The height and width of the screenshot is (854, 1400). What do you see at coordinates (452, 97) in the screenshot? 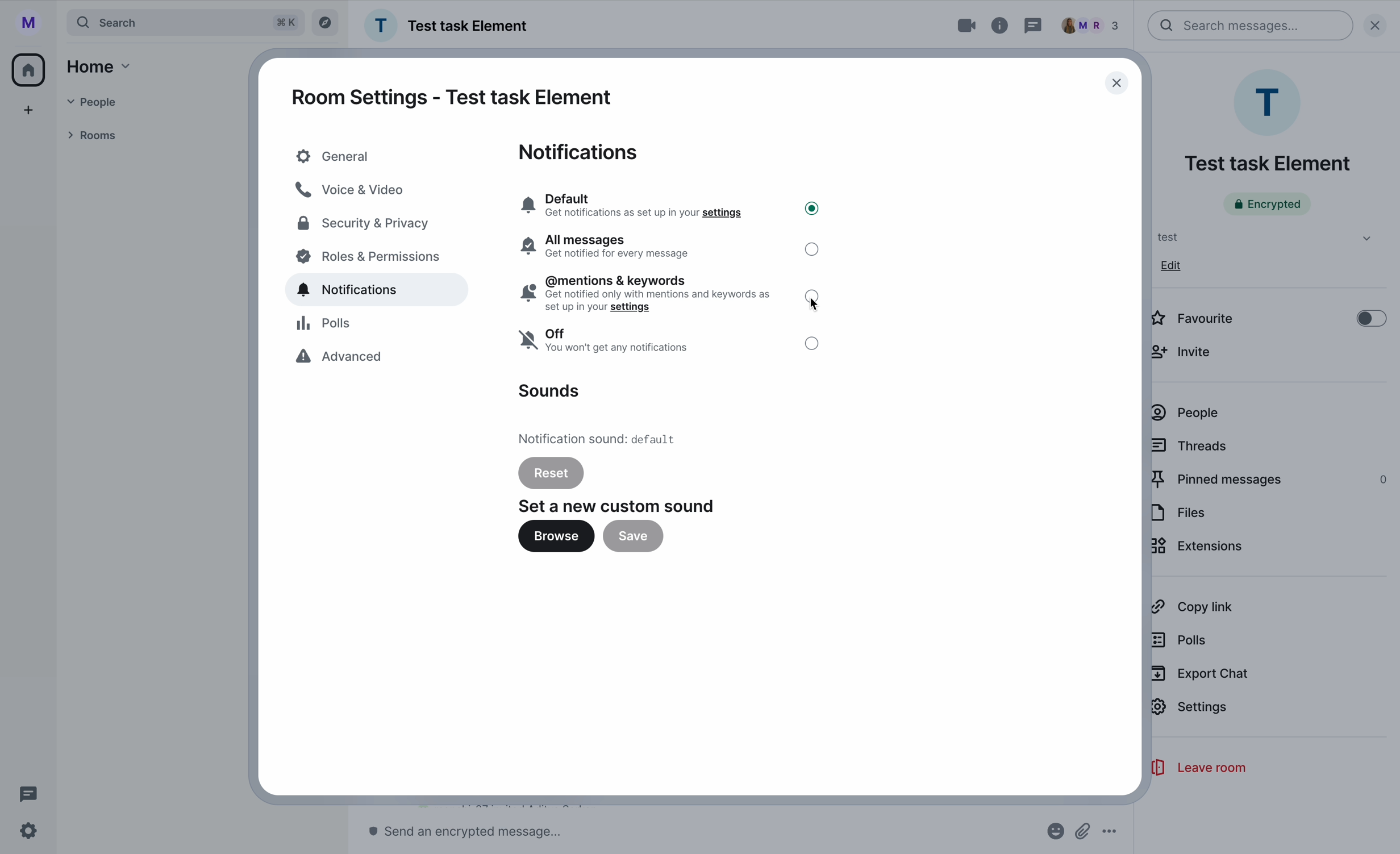
I see `room settings - test task element ` at bounding box center [452, 97].